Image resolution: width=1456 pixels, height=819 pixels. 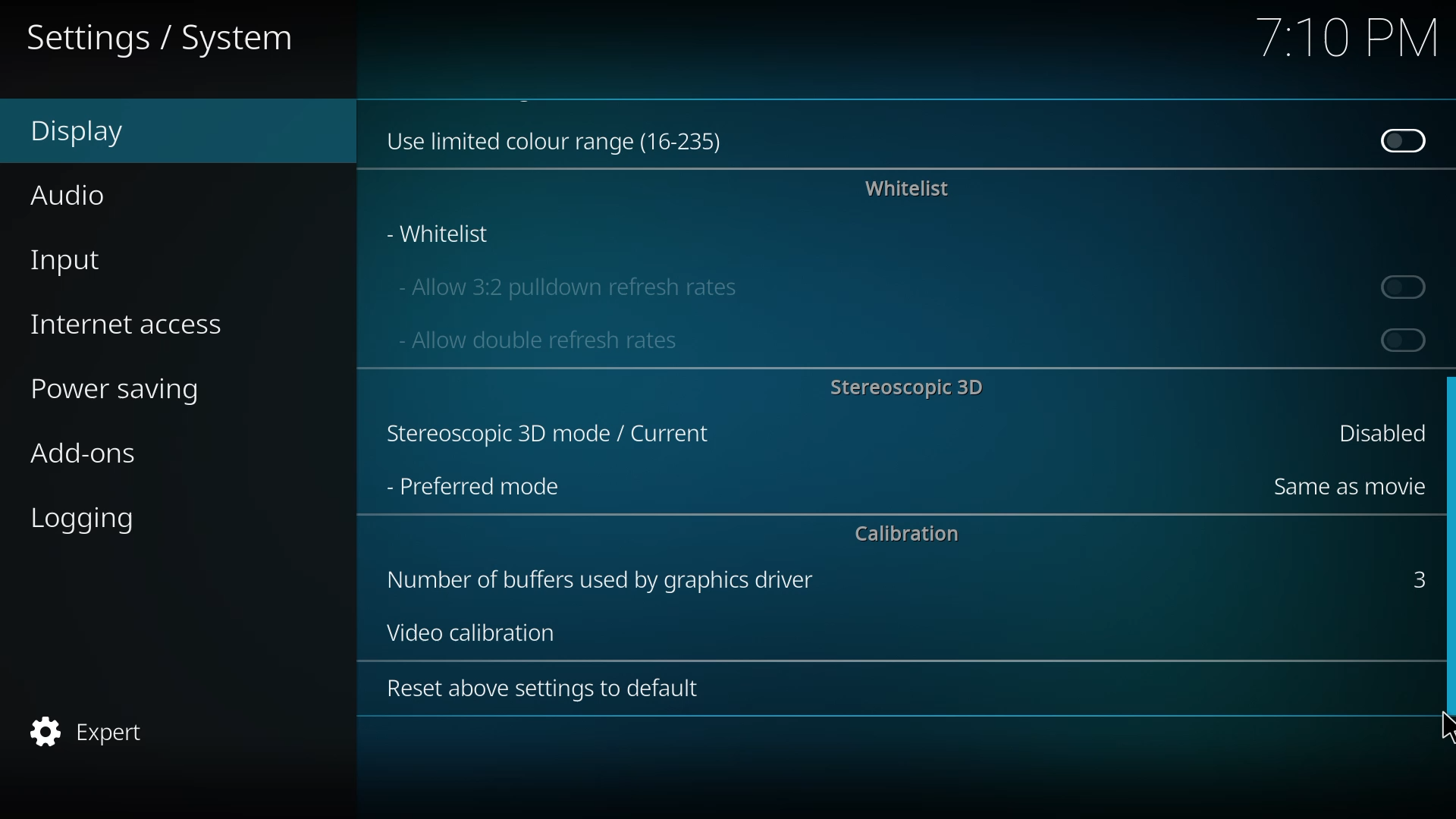 I want to click on time, so click(x=1345, y=39).